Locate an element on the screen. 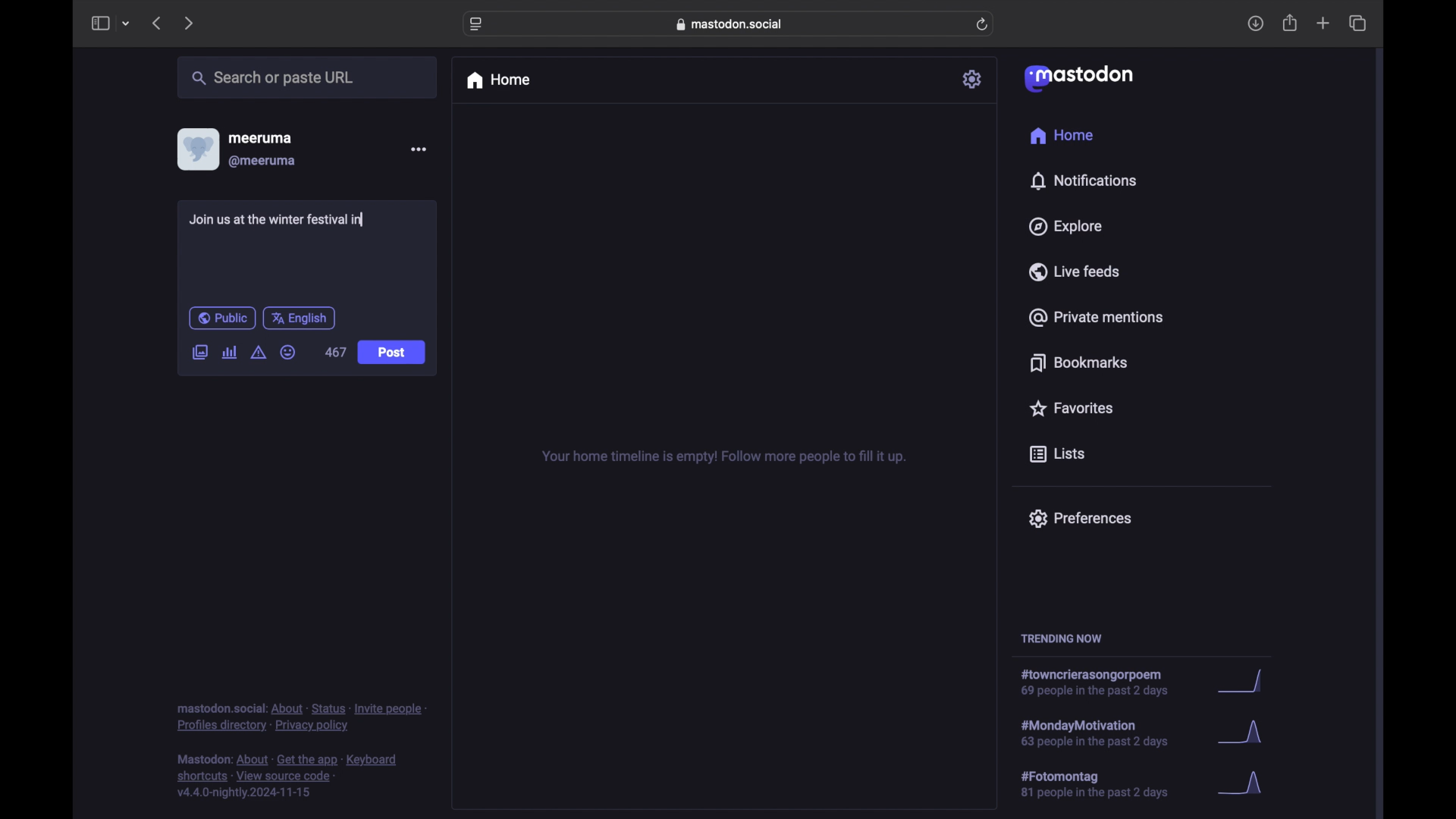 Image resolution: width=1456 pixels, height=819 pixels. footnote is located at coordinates (290, 777).